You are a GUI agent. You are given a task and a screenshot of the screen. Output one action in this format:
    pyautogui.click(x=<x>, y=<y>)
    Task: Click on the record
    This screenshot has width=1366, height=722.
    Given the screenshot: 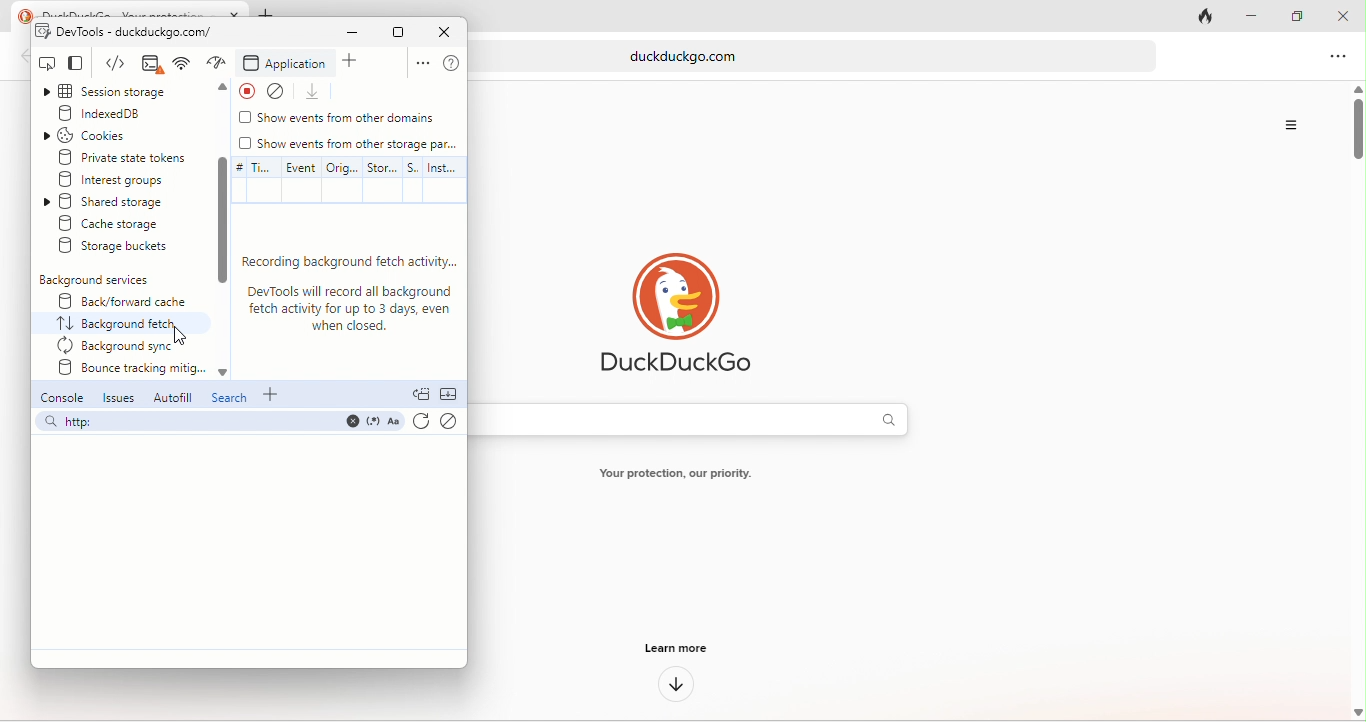 What is the action you would take?
    pyautogui.click(x=246, y=91)
    